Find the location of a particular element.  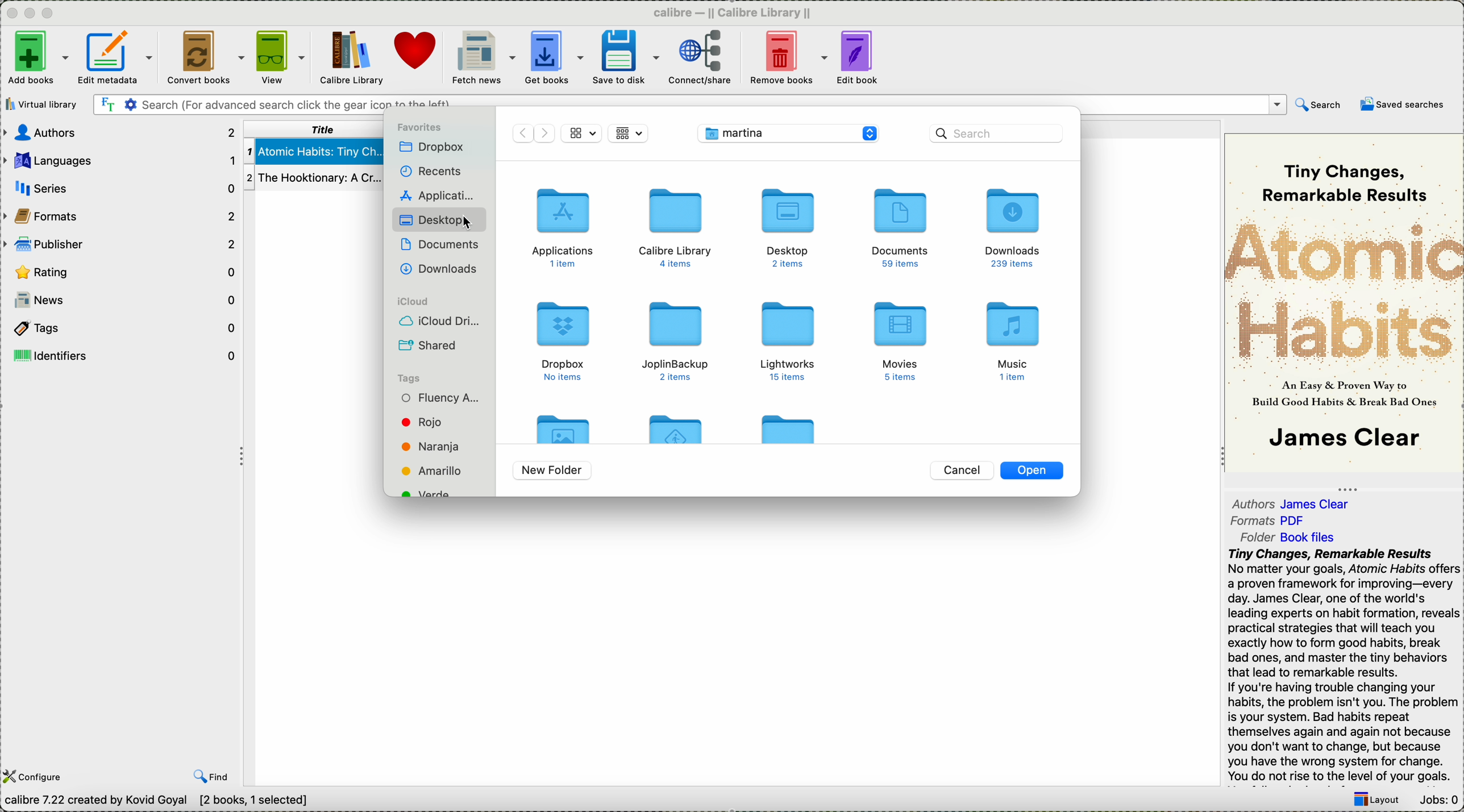

Calibre callibre library is located at coordinates (733, 11).